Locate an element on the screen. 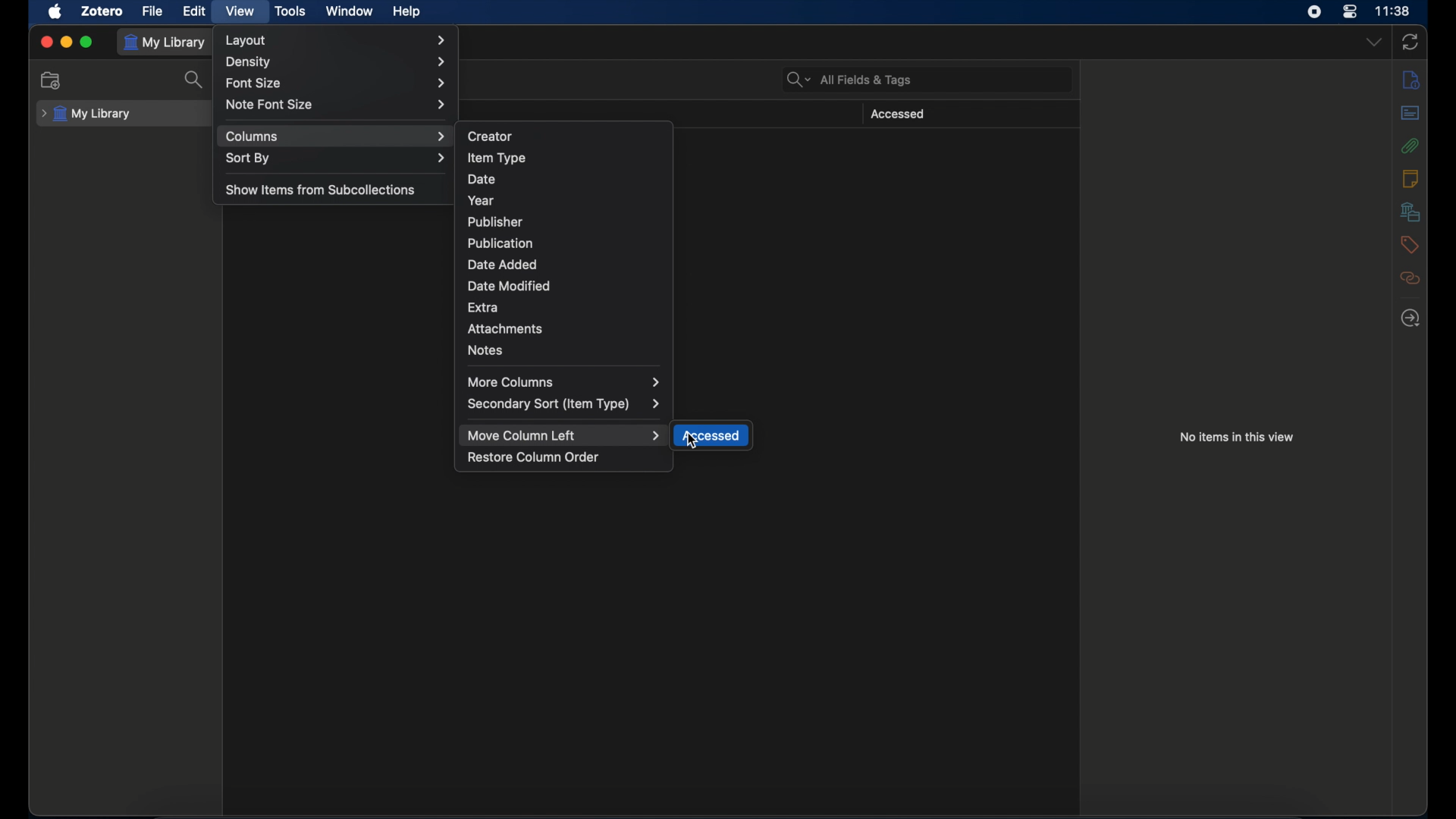 This screenshot has height=819, width=1456. sync is located at coordinates (1410, 43).